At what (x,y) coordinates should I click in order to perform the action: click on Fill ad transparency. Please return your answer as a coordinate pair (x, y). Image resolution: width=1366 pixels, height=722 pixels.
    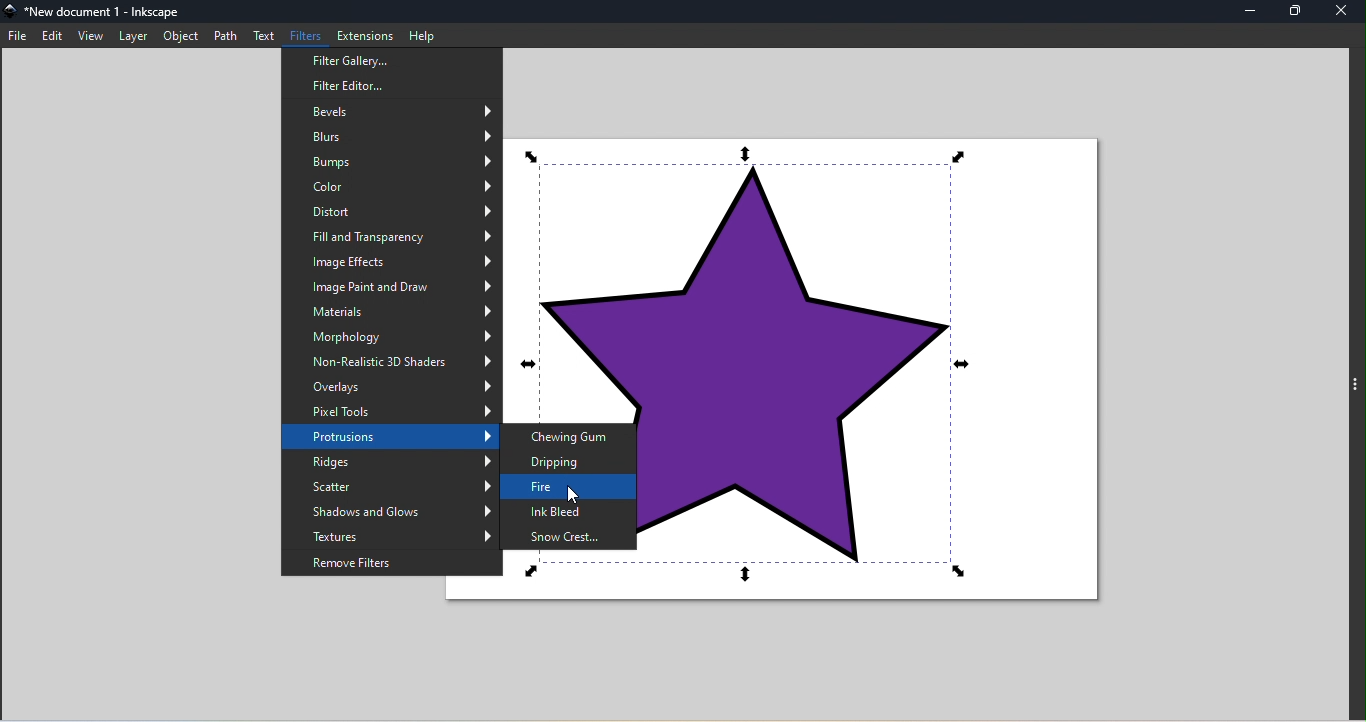
    Looking at the image, I should click on (391, 237).